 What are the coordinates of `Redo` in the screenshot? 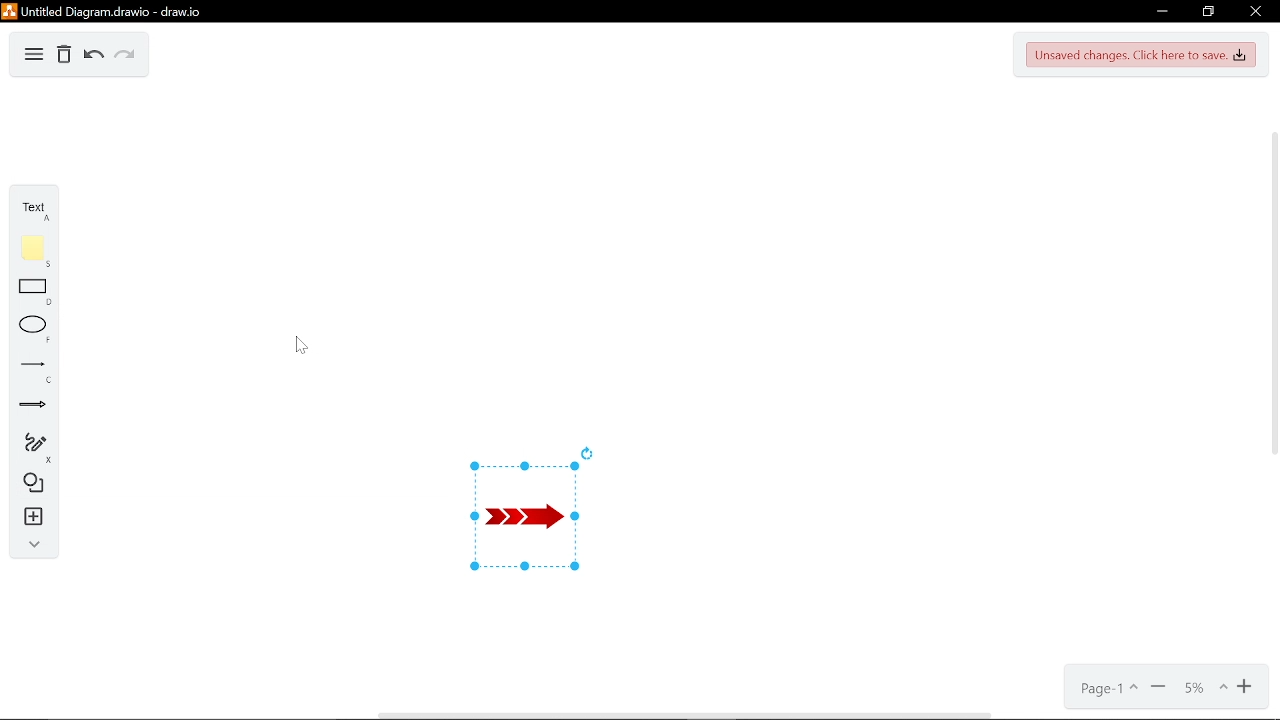 It's located at (126, 55).